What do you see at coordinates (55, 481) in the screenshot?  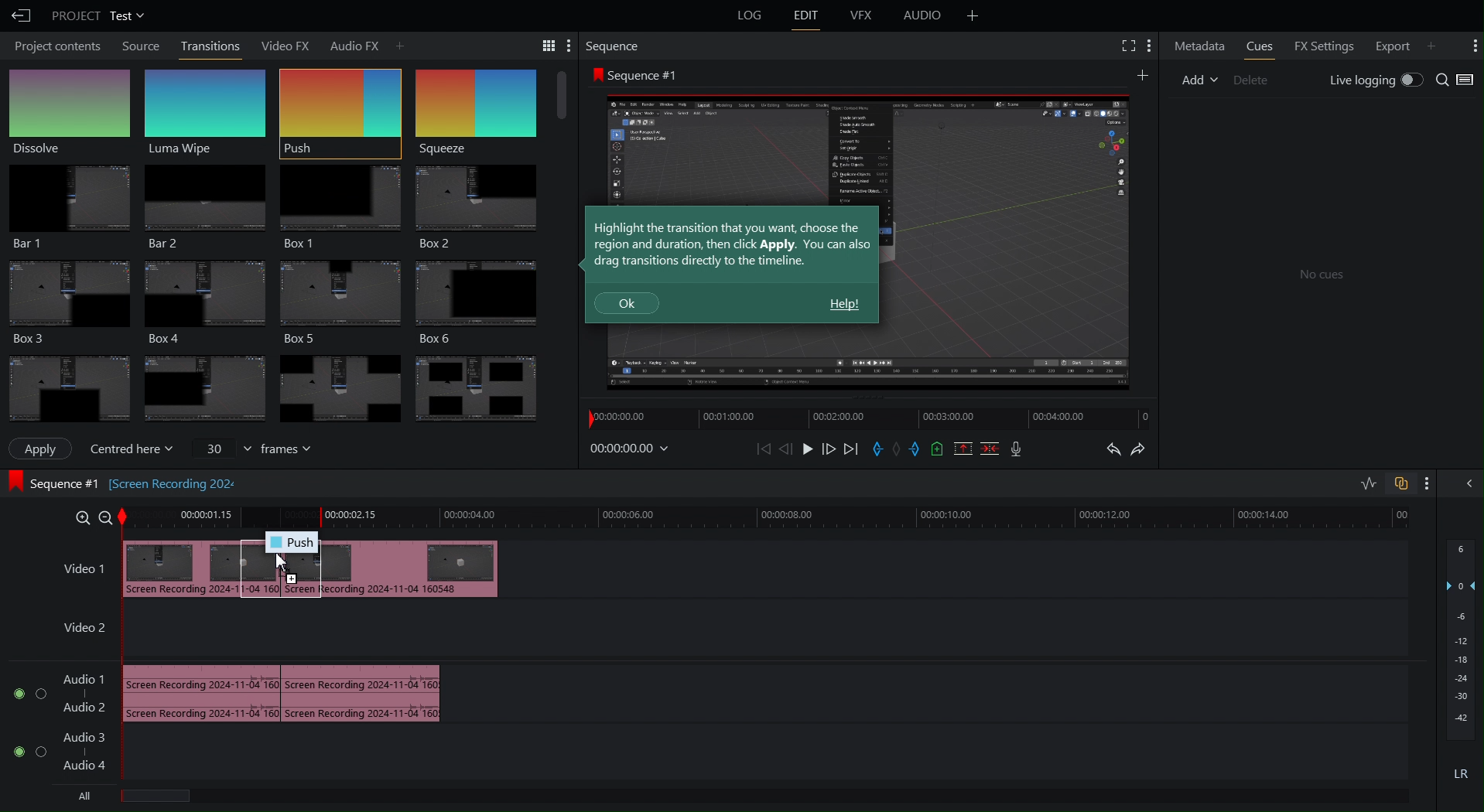 I see `Sequence #1 ` at bounding box center [55, 481].